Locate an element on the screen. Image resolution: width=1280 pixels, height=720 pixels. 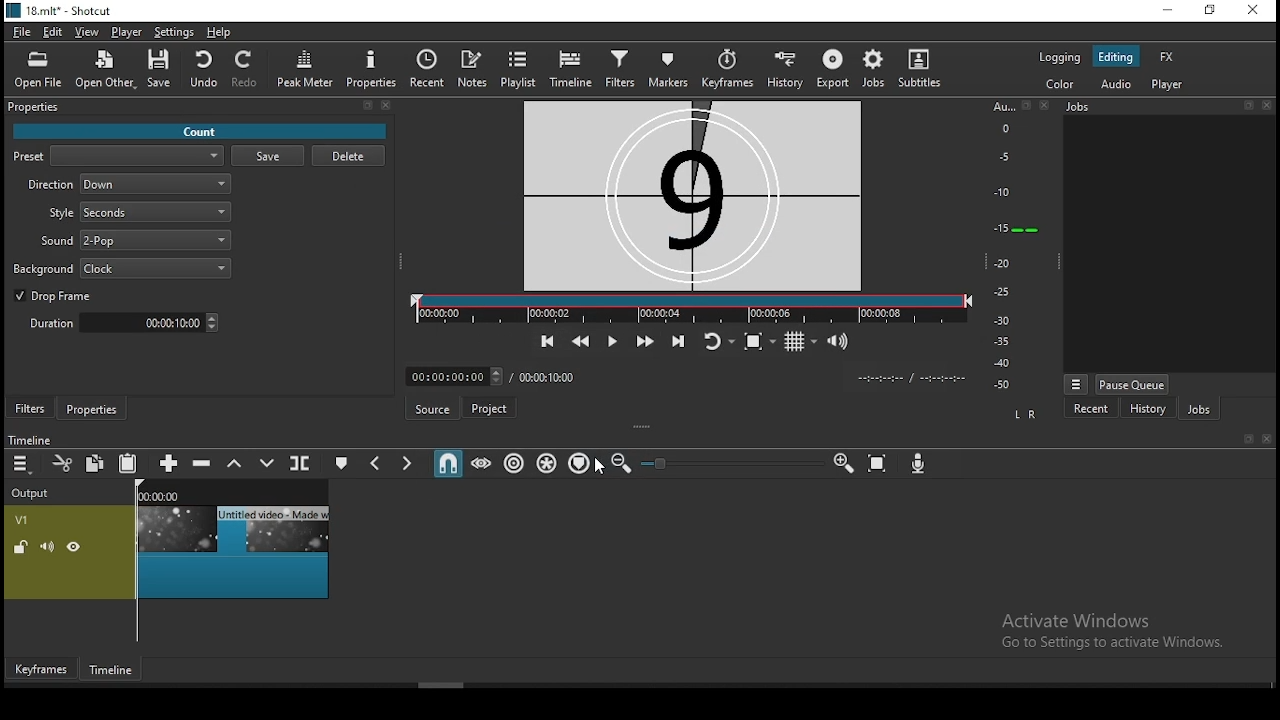
peak meter is located at coordinates (307, 70).